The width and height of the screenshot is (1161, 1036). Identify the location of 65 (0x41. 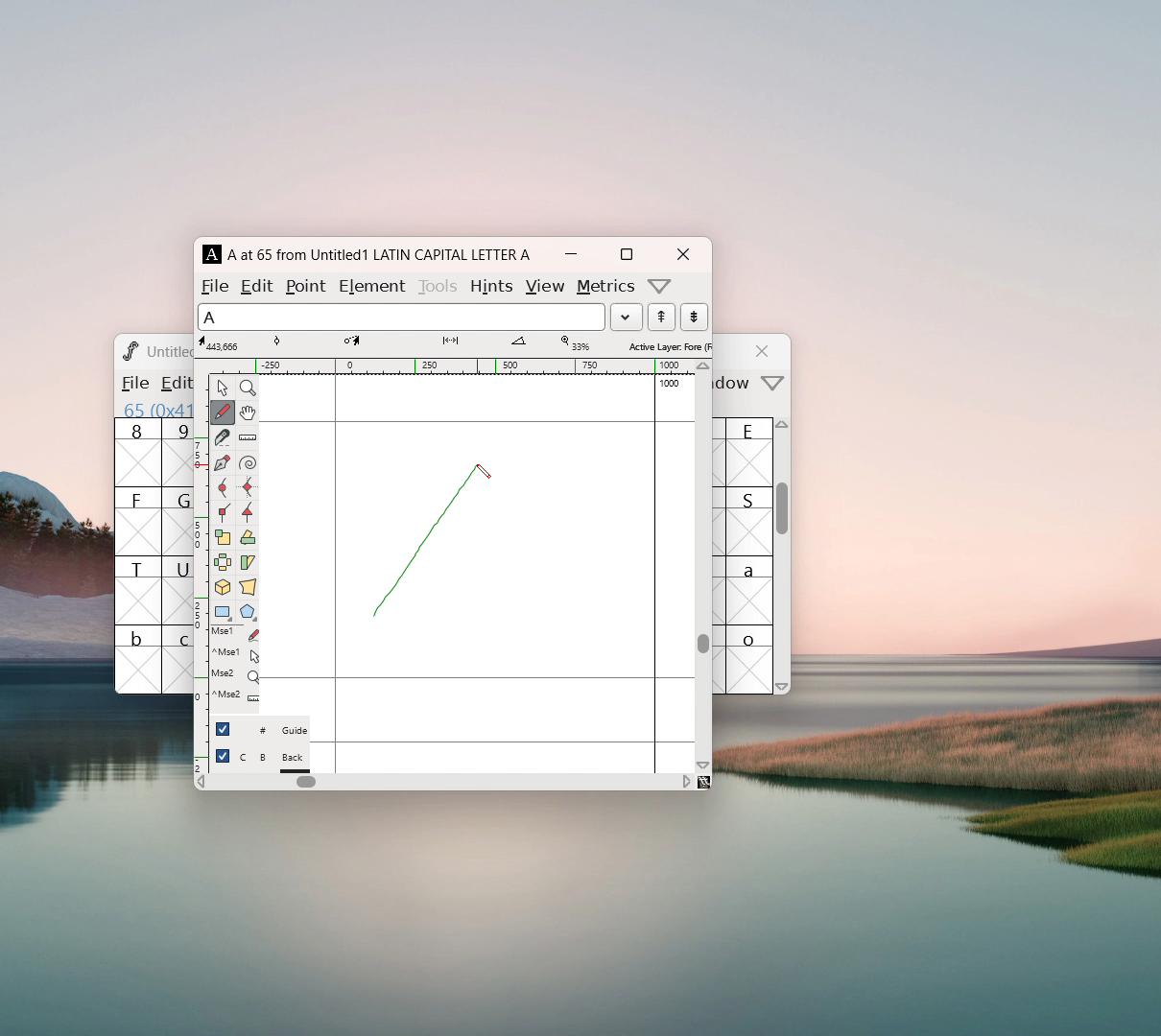
(154, 409).